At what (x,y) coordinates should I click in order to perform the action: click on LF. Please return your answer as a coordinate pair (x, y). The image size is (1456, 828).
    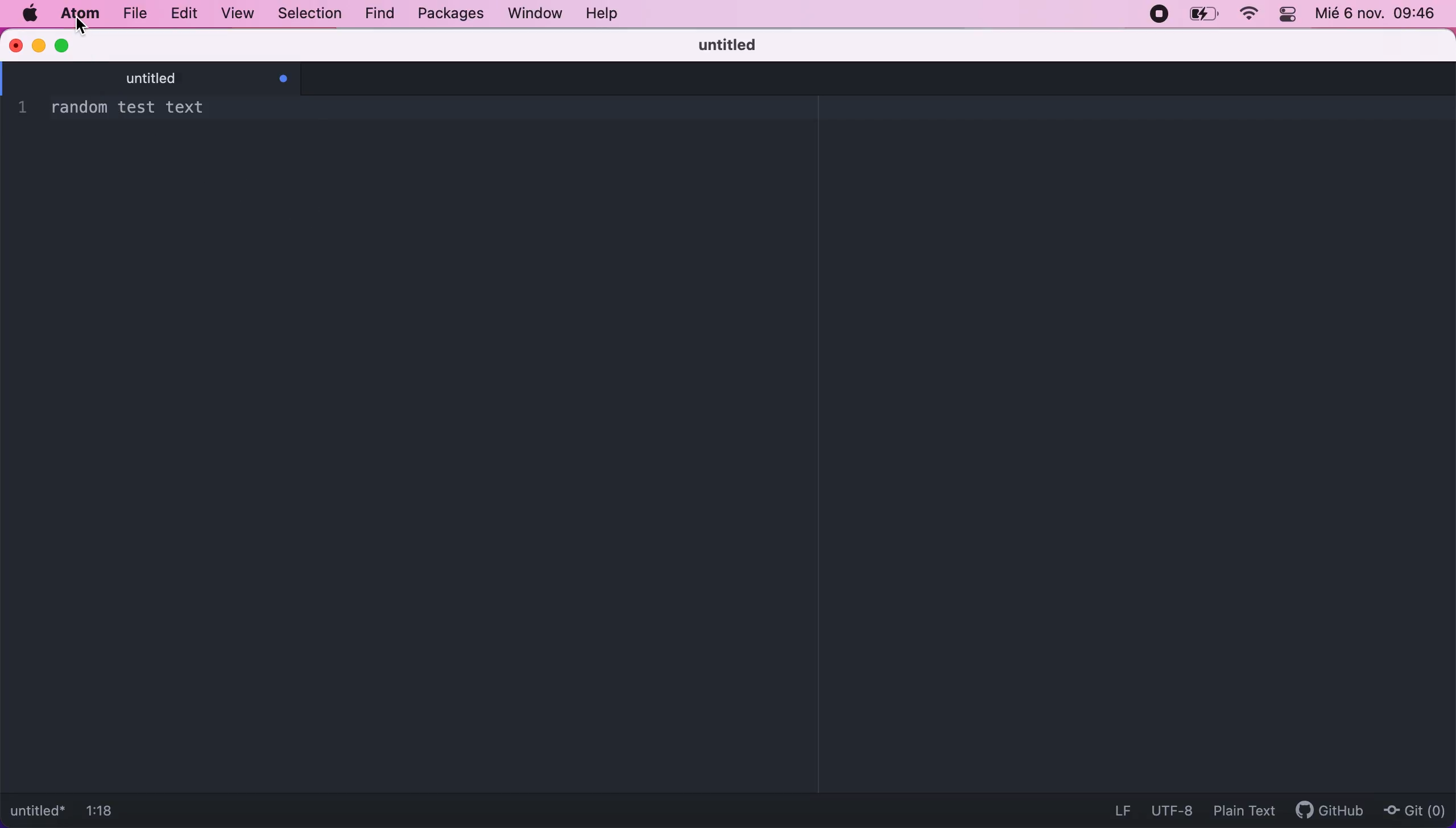
    Looking at the image, I should click on (1122, 809).